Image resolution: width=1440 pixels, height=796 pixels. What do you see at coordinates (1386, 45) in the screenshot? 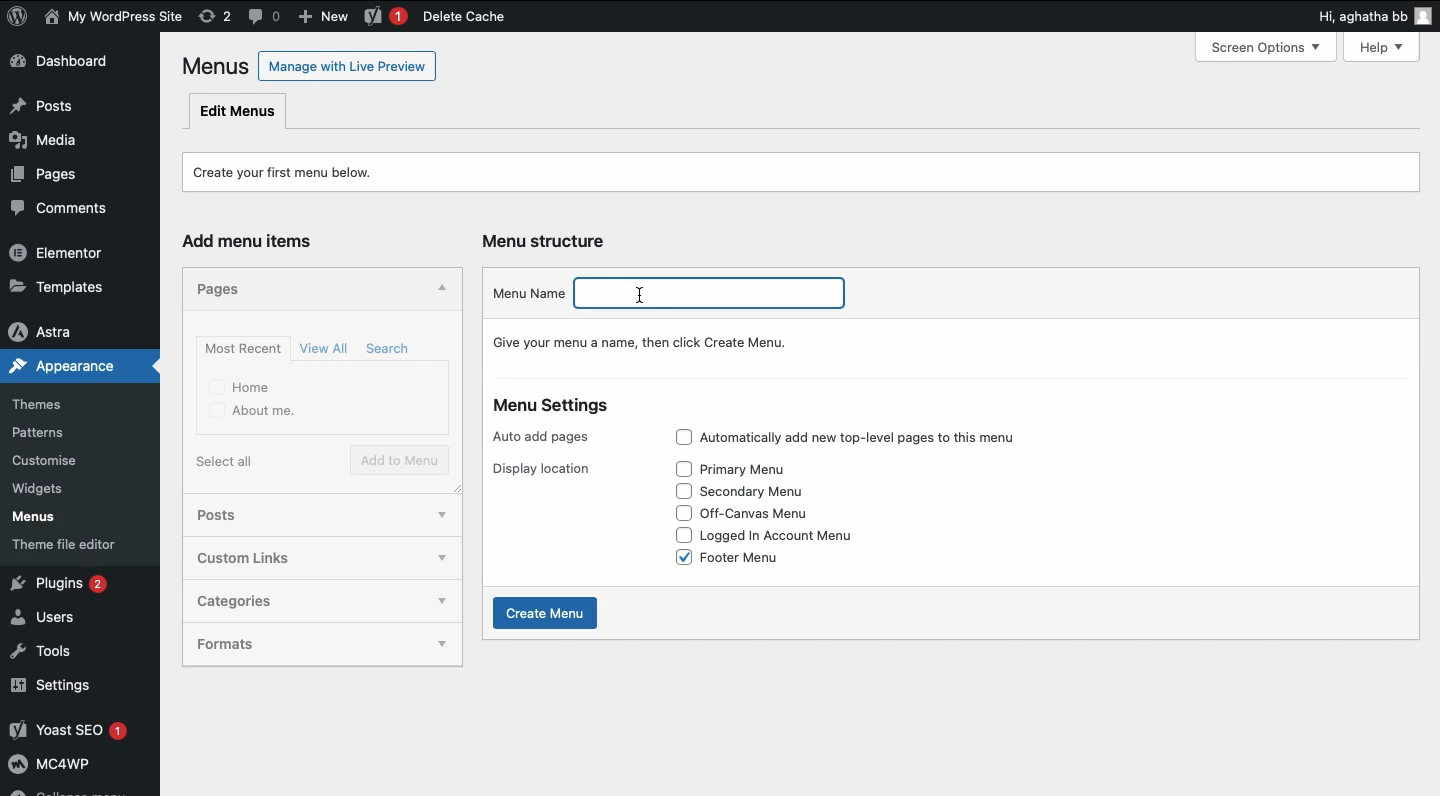
I see `Help` at bounding box center [1386, 45].